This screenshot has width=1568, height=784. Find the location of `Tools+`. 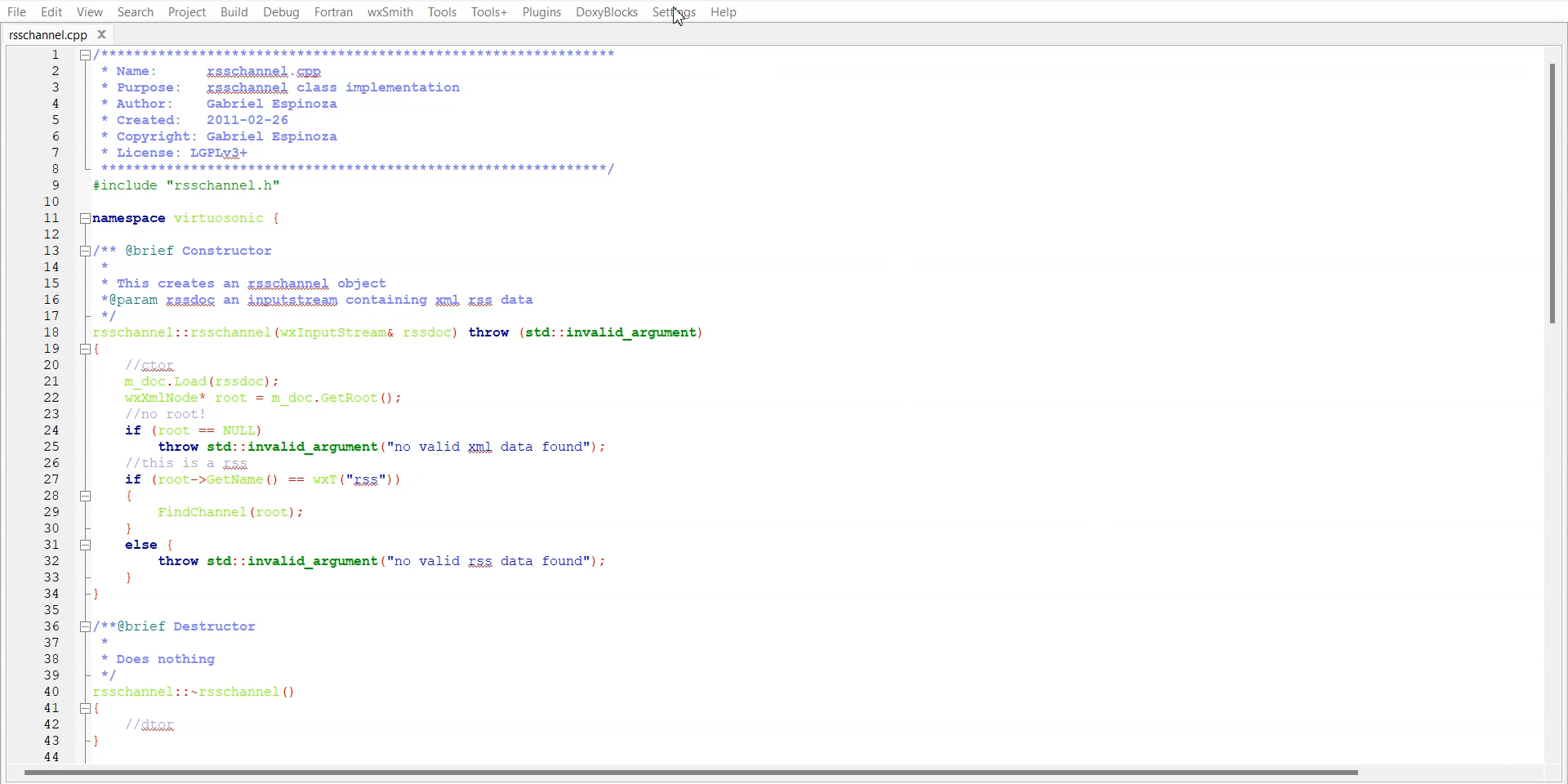

Tools+ is located at coordinates (488, 11).